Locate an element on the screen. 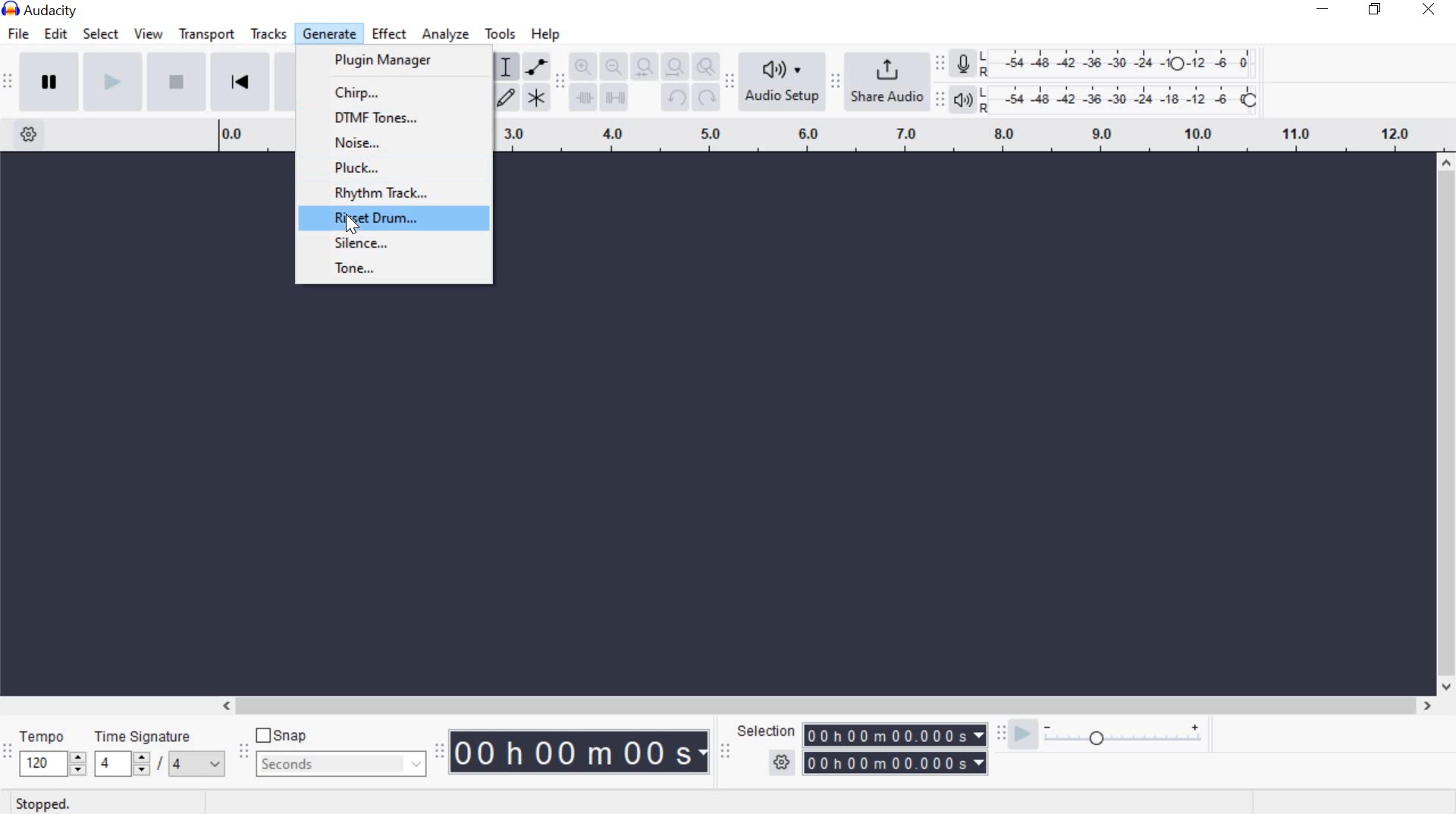 The image size is (1456, 814). Playback speed is located at coordinates (1123, 740).